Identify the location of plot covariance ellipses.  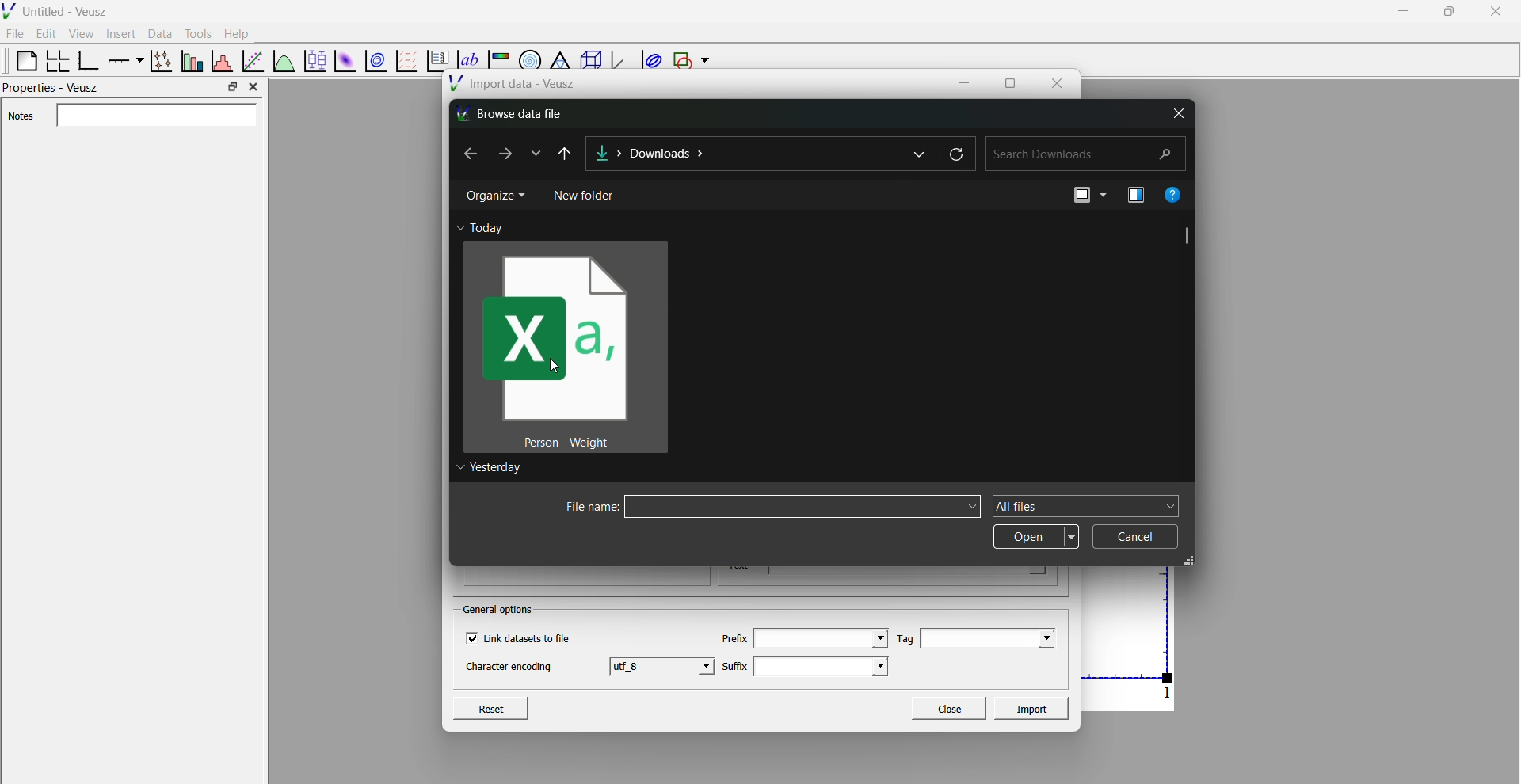
(650, 60).